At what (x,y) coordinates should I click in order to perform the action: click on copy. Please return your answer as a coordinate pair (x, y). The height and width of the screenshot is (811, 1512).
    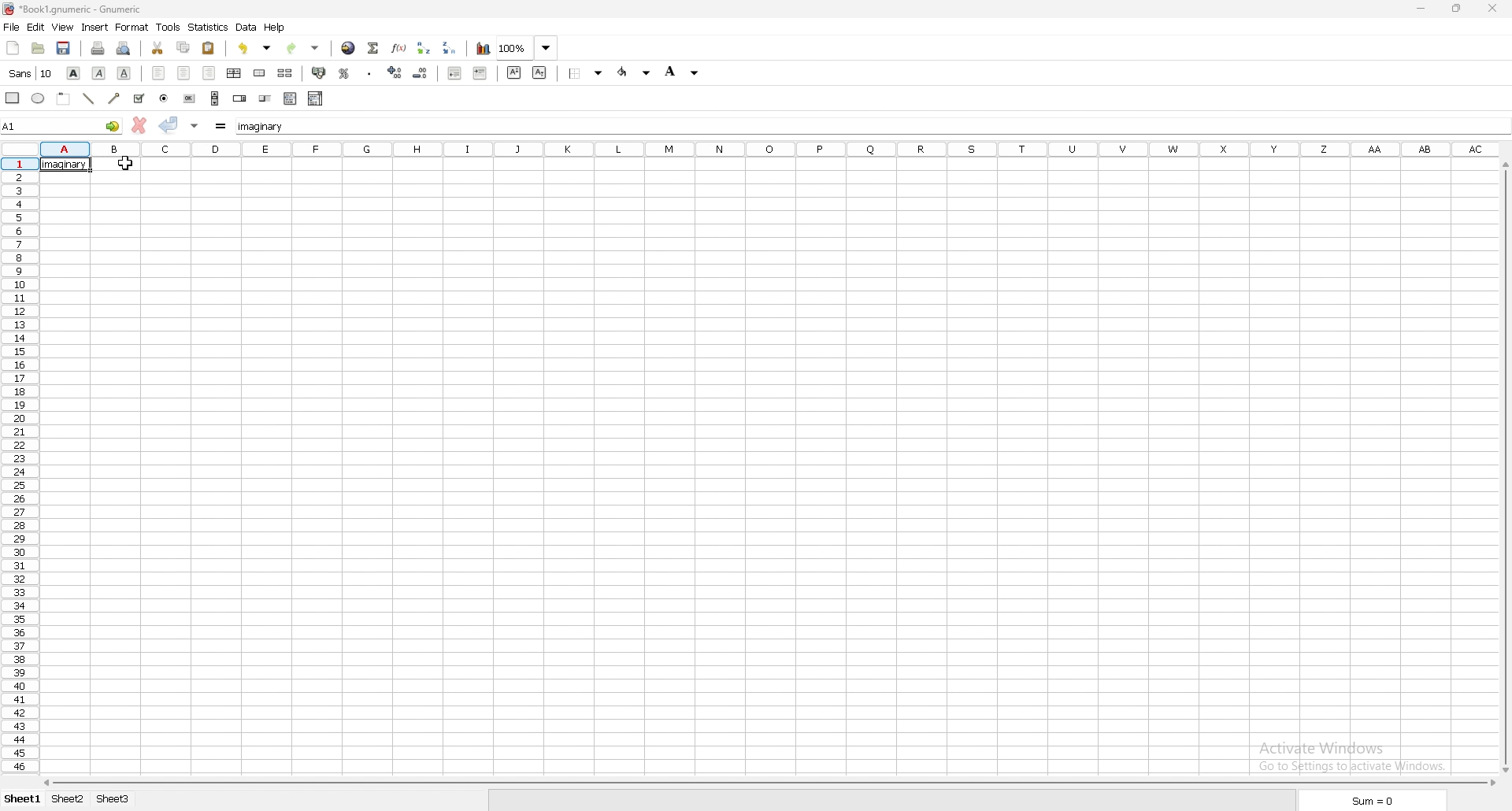
    Looking at the image, I should click on (183, 47).